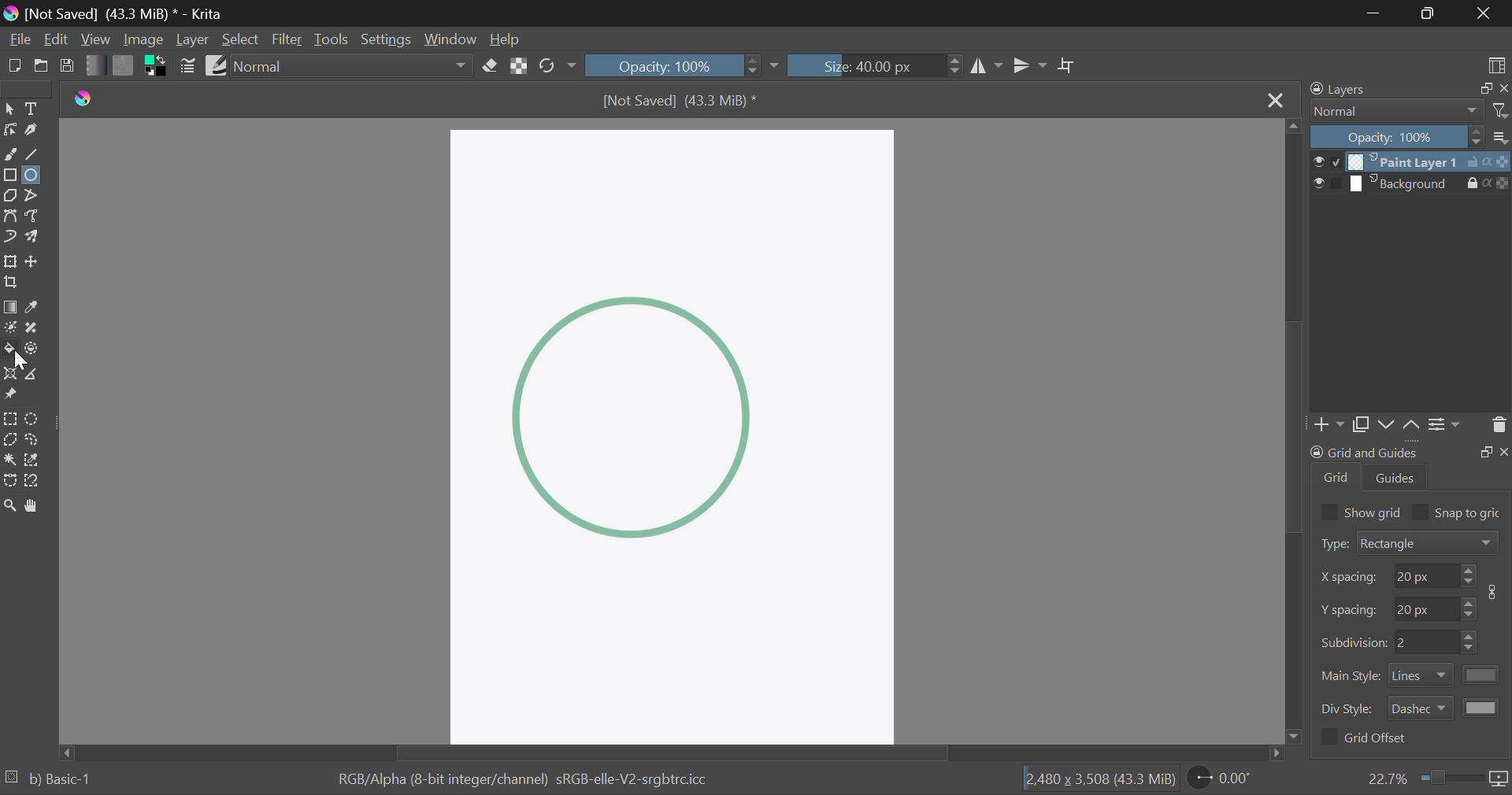  What do you see at coordinates (123, 68) in the screenshot?
I see `Pattern` at bounding box center [123, 68].